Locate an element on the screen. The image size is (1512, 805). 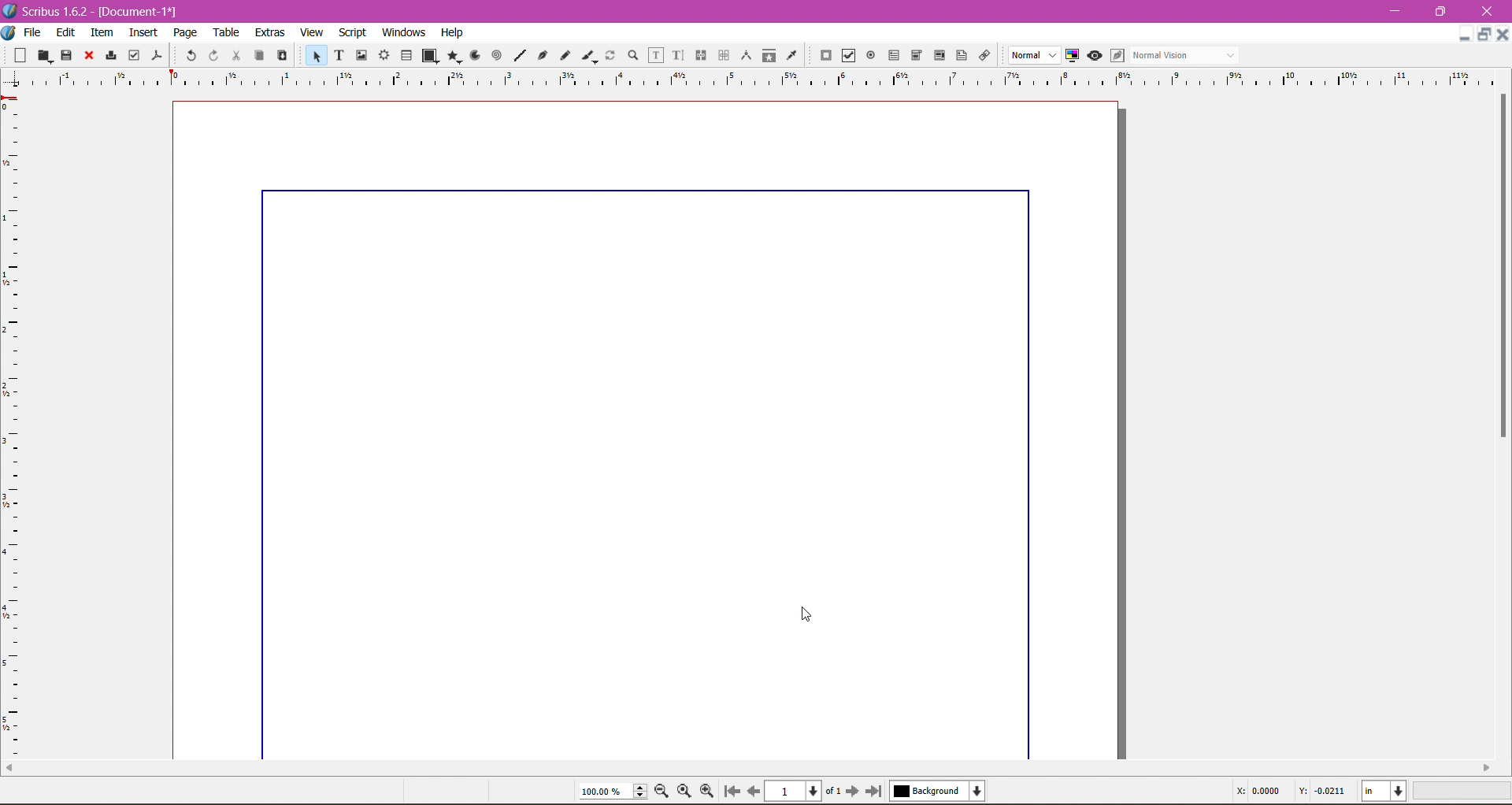
Zoom out by the stepping value in Tools preferences is located at coordinates (662, 792).